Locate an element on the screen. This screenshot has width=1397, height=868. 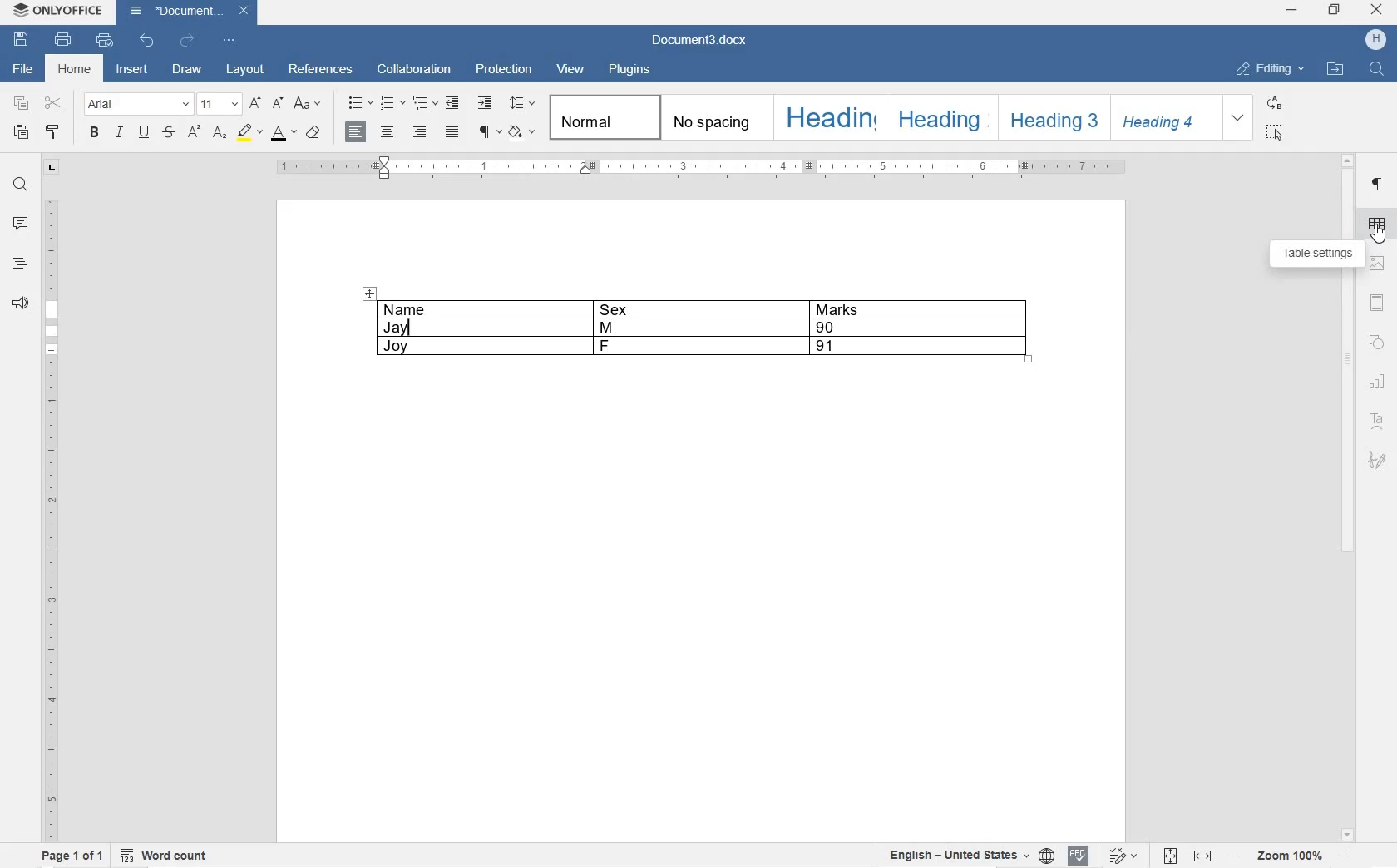
SHADING is located at coordinates (521, 131).